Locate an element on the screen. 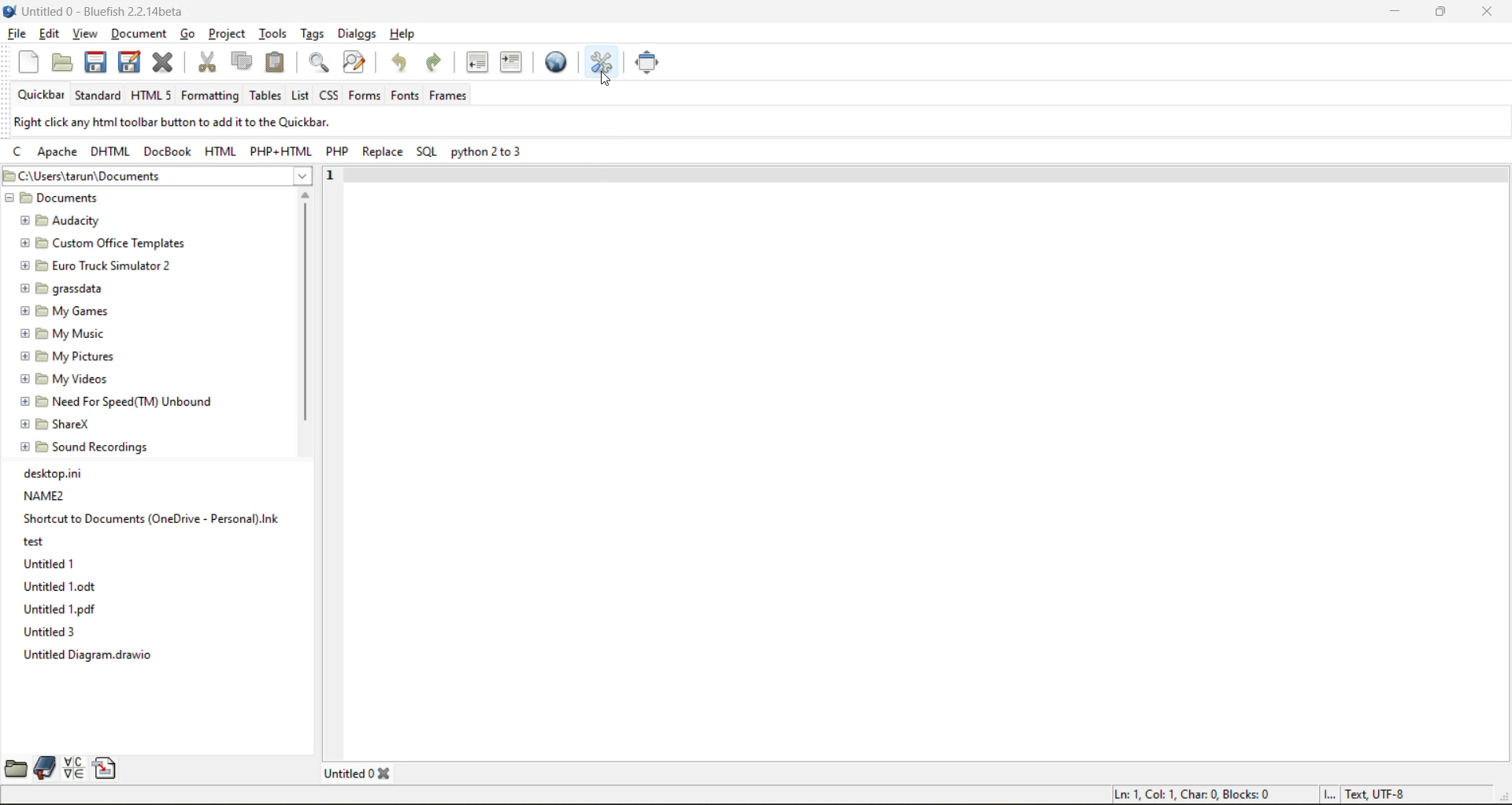 The height and width of the screenshot is (805, 1512). documents is located at coordinates (98, 199).